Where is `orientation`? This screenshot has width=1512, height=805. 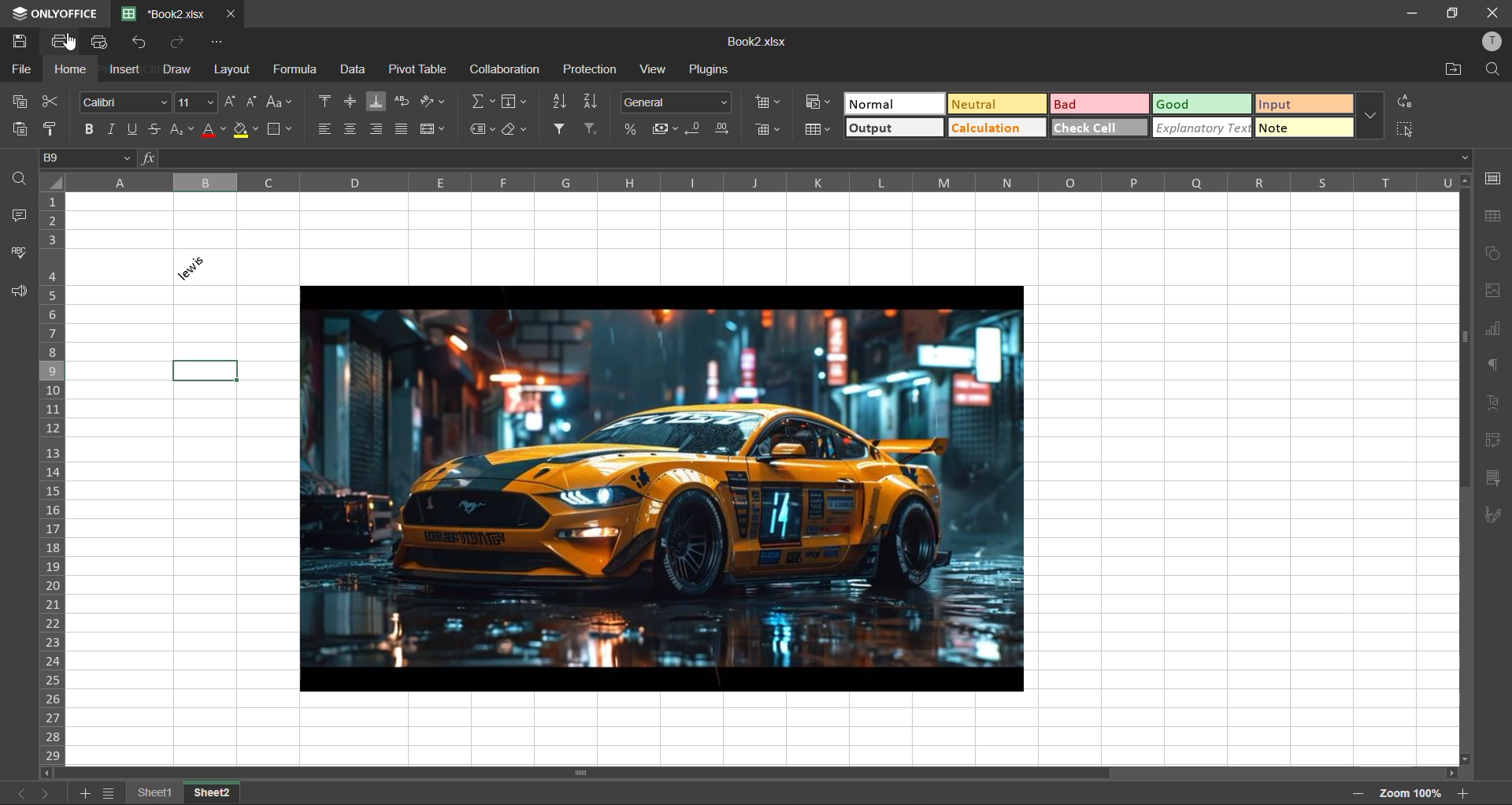
orientation is located at coordinates (432, 102).